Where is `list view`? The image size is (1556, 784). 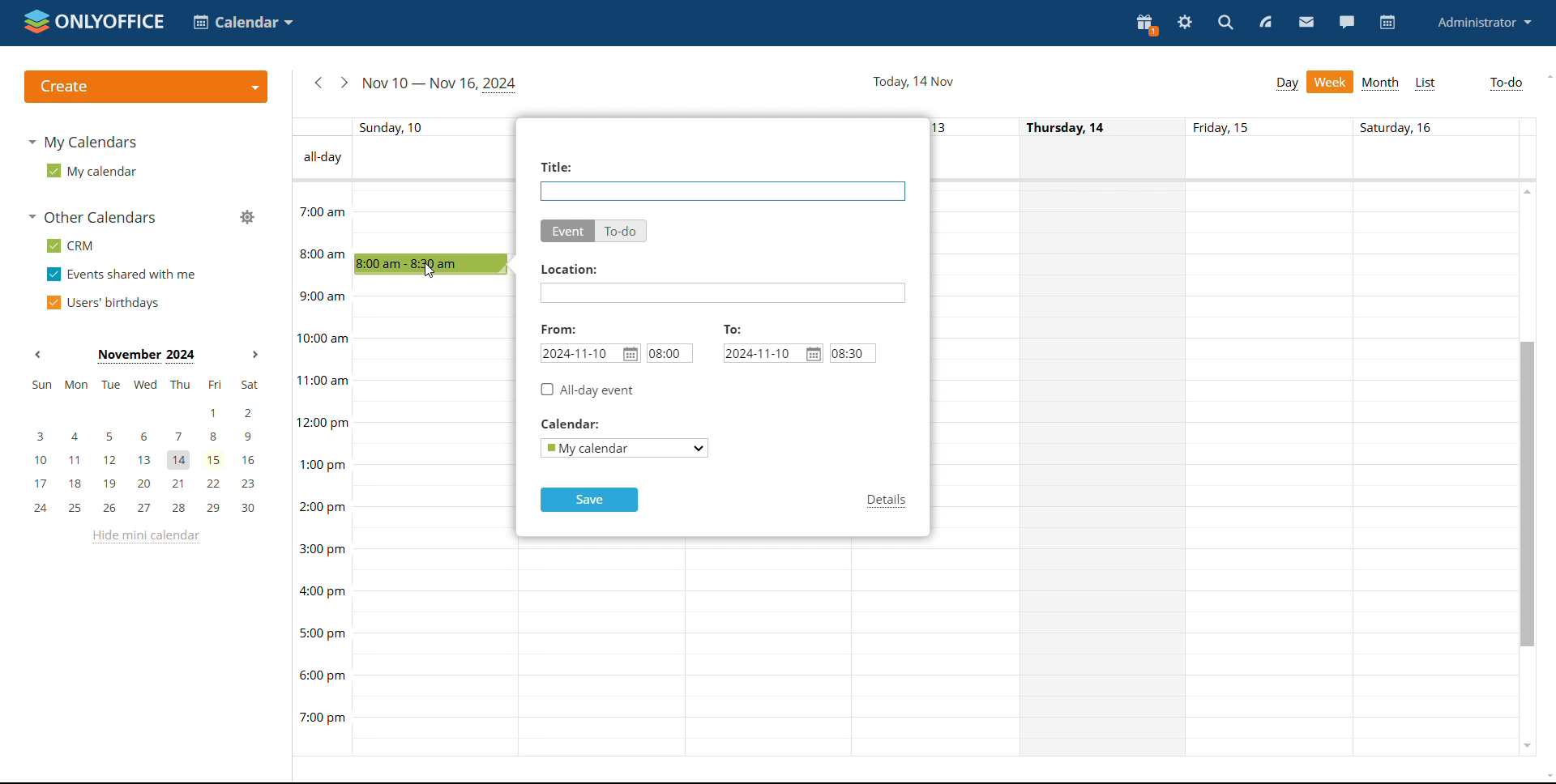
list view is located at coordinates (1426, 84).